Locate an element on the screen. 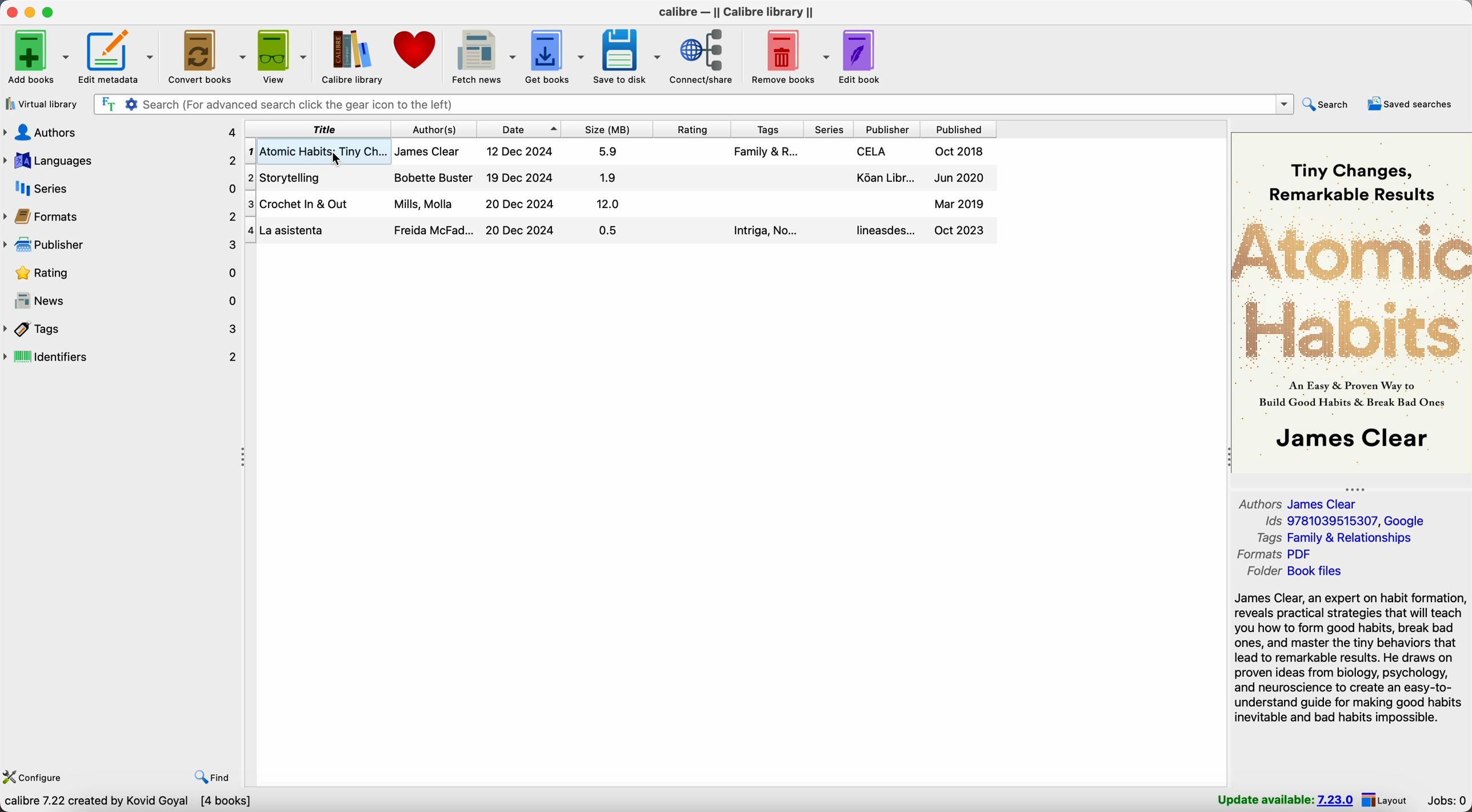  tags is located at coordinates (769, 128).